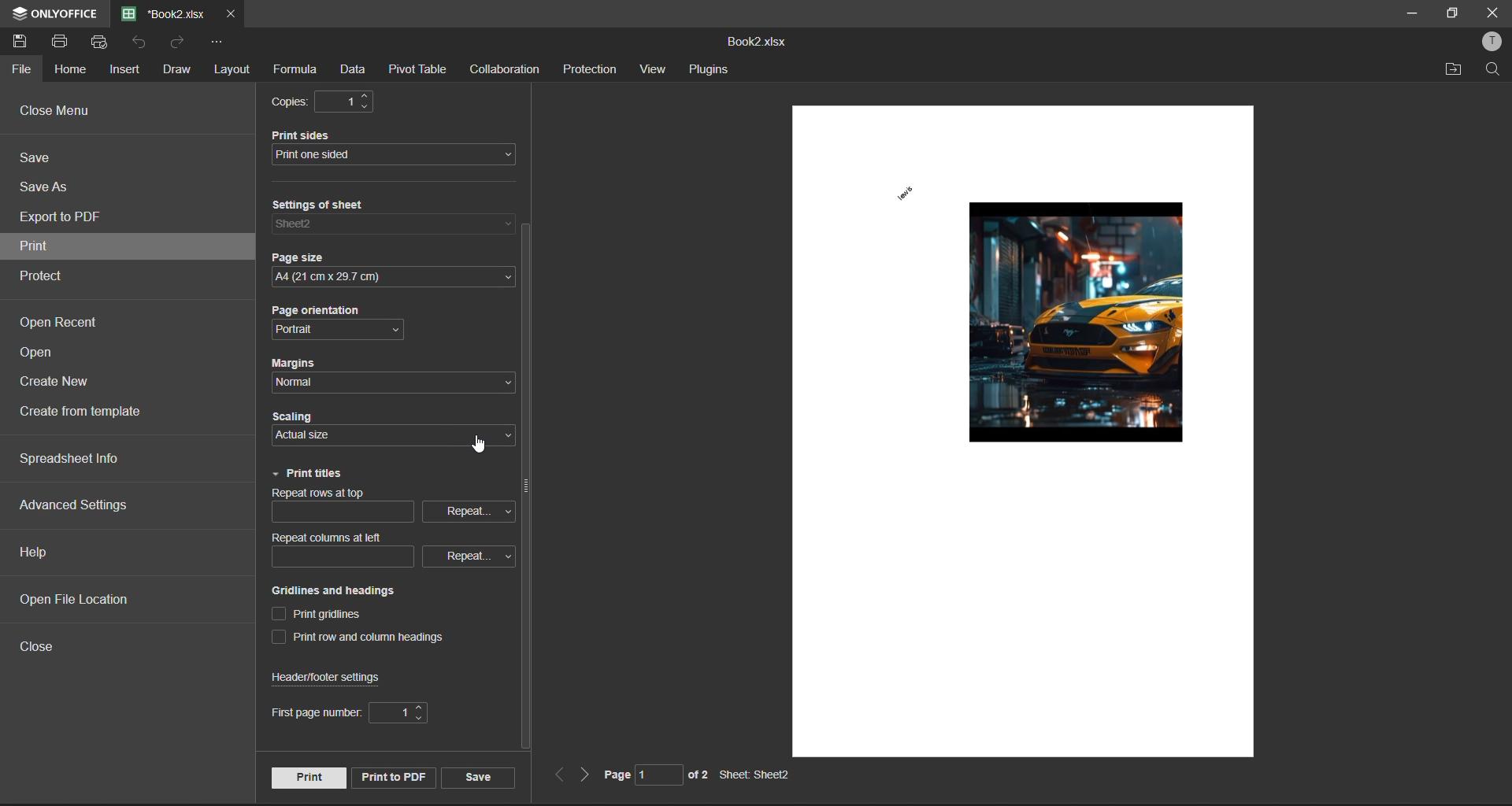  I want to click on page no, so click(632, 774).